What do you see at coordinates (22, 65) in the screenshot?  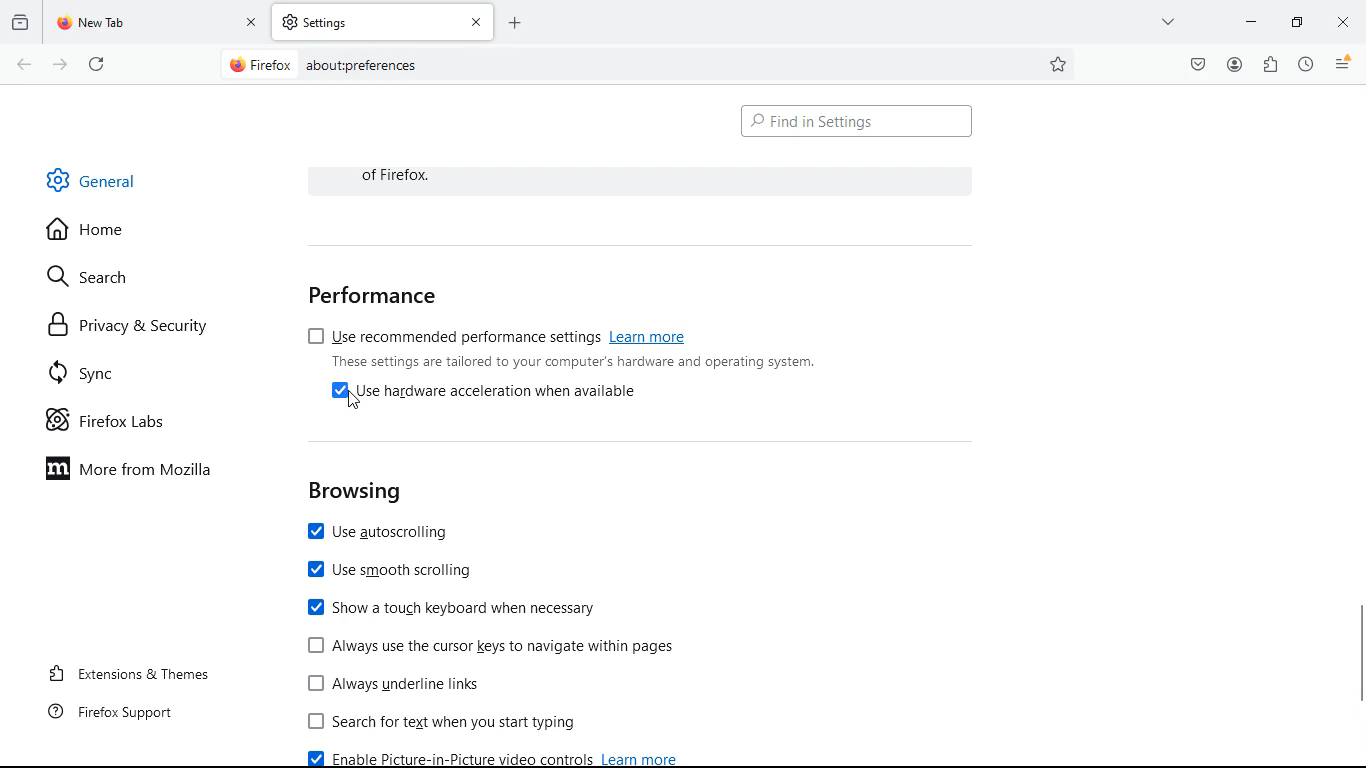 I see `back` at bounding box center [22, 65].